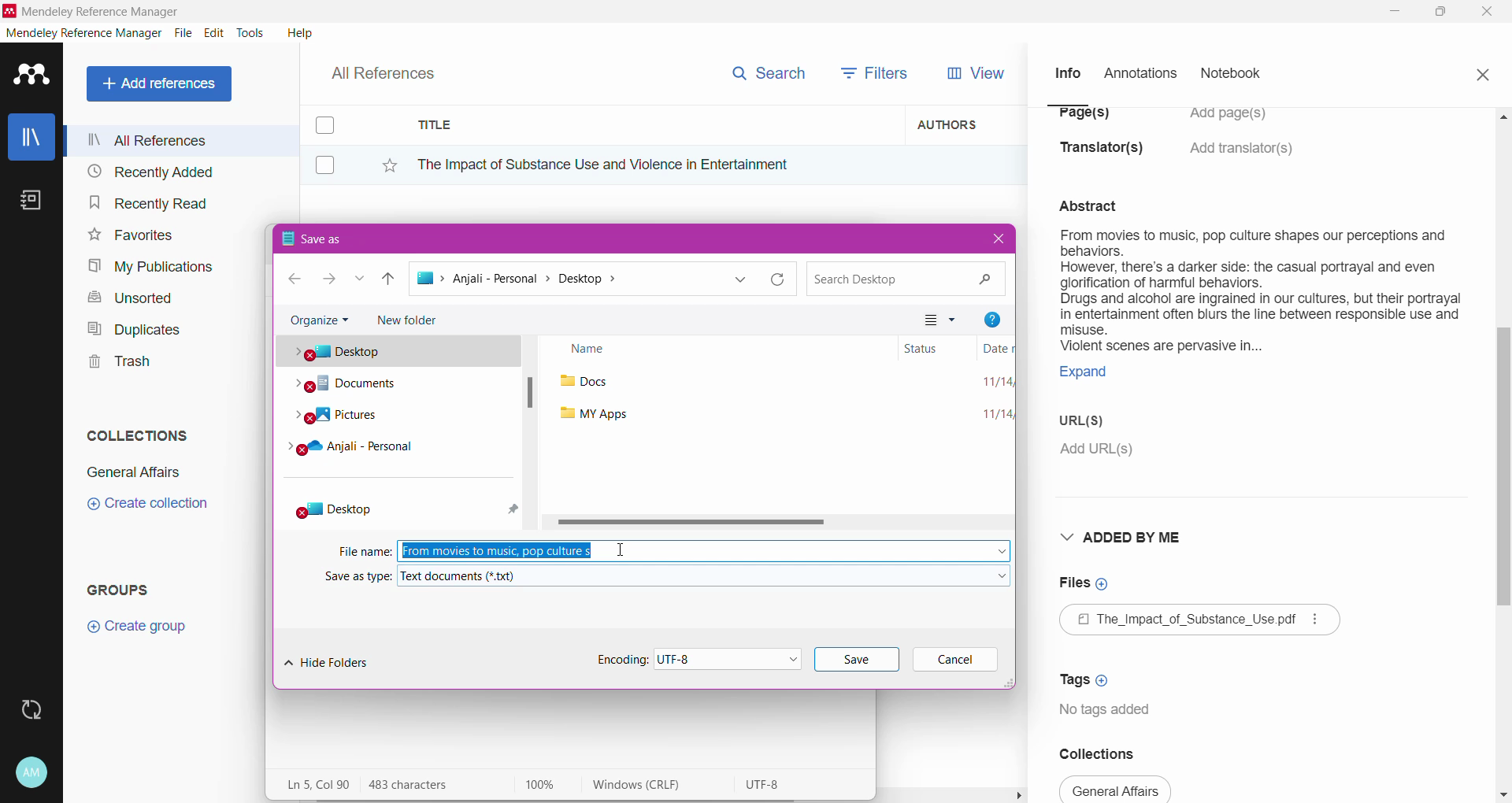  I want to click on Pictures, so click(353, 419).